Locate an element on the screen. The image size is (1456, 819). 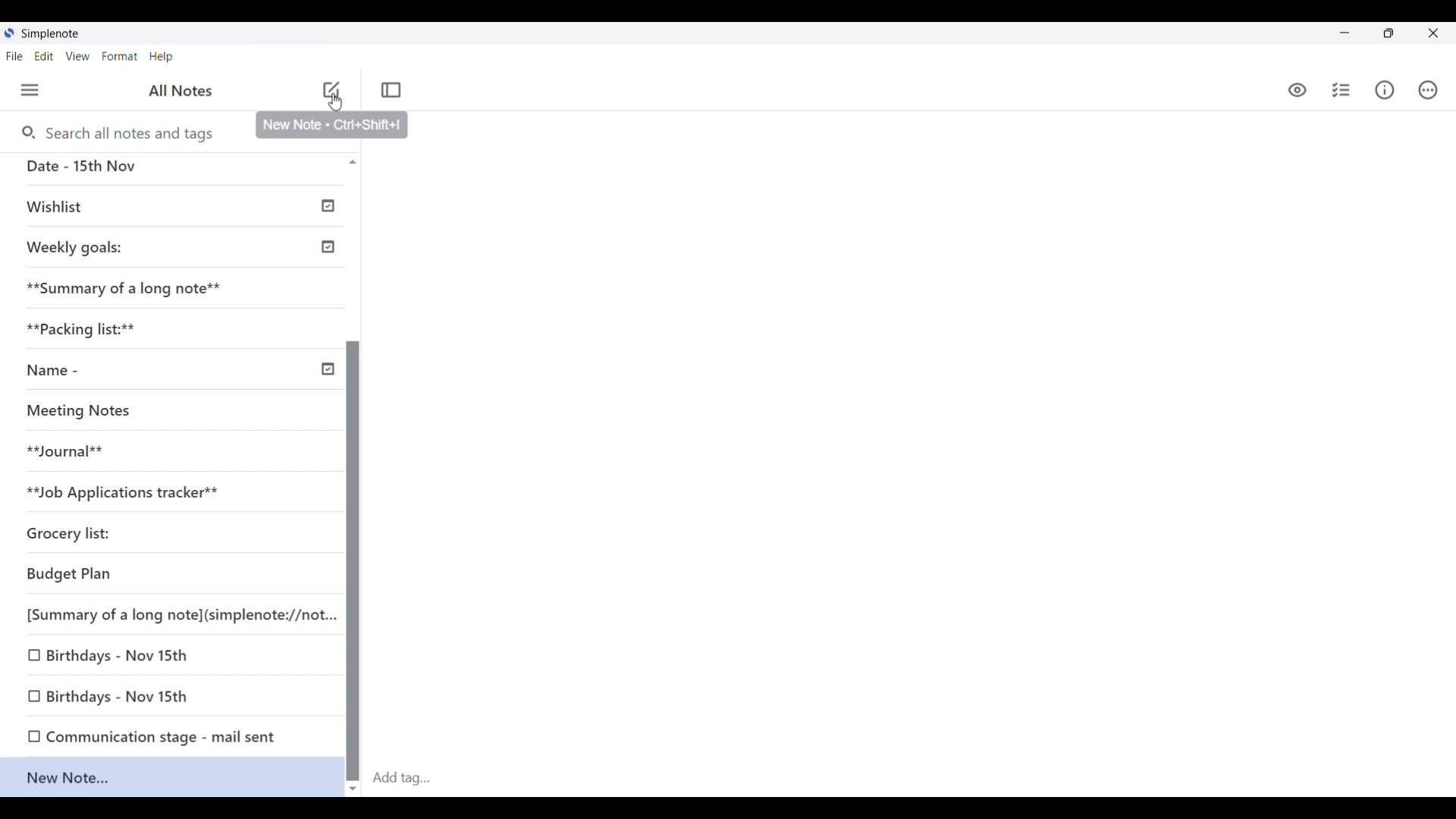
Birthdays - Nov 15th is located at coordinates (120, 657).